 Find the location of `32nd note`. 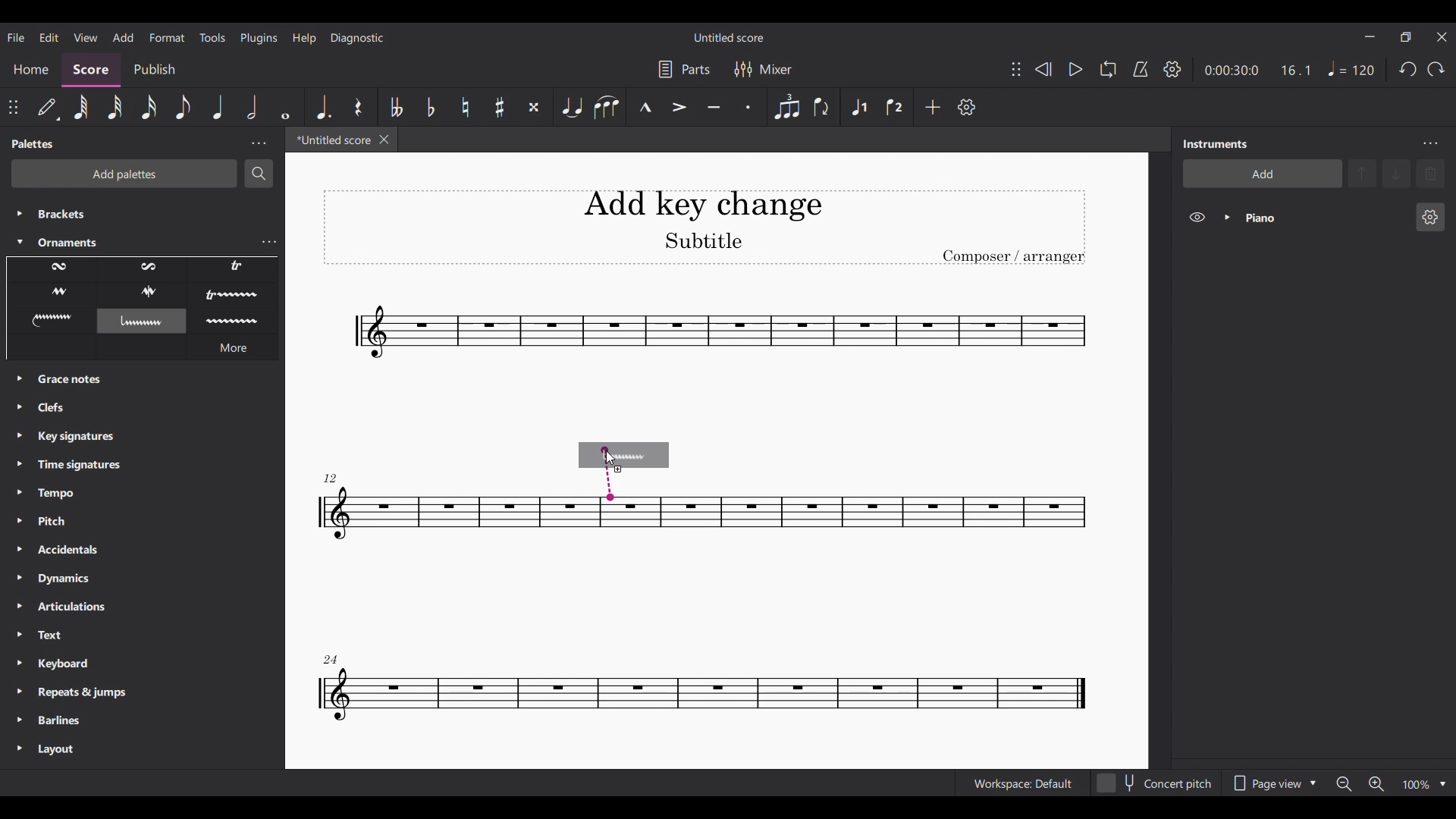

32nd note is located at coordinates (115, 107).